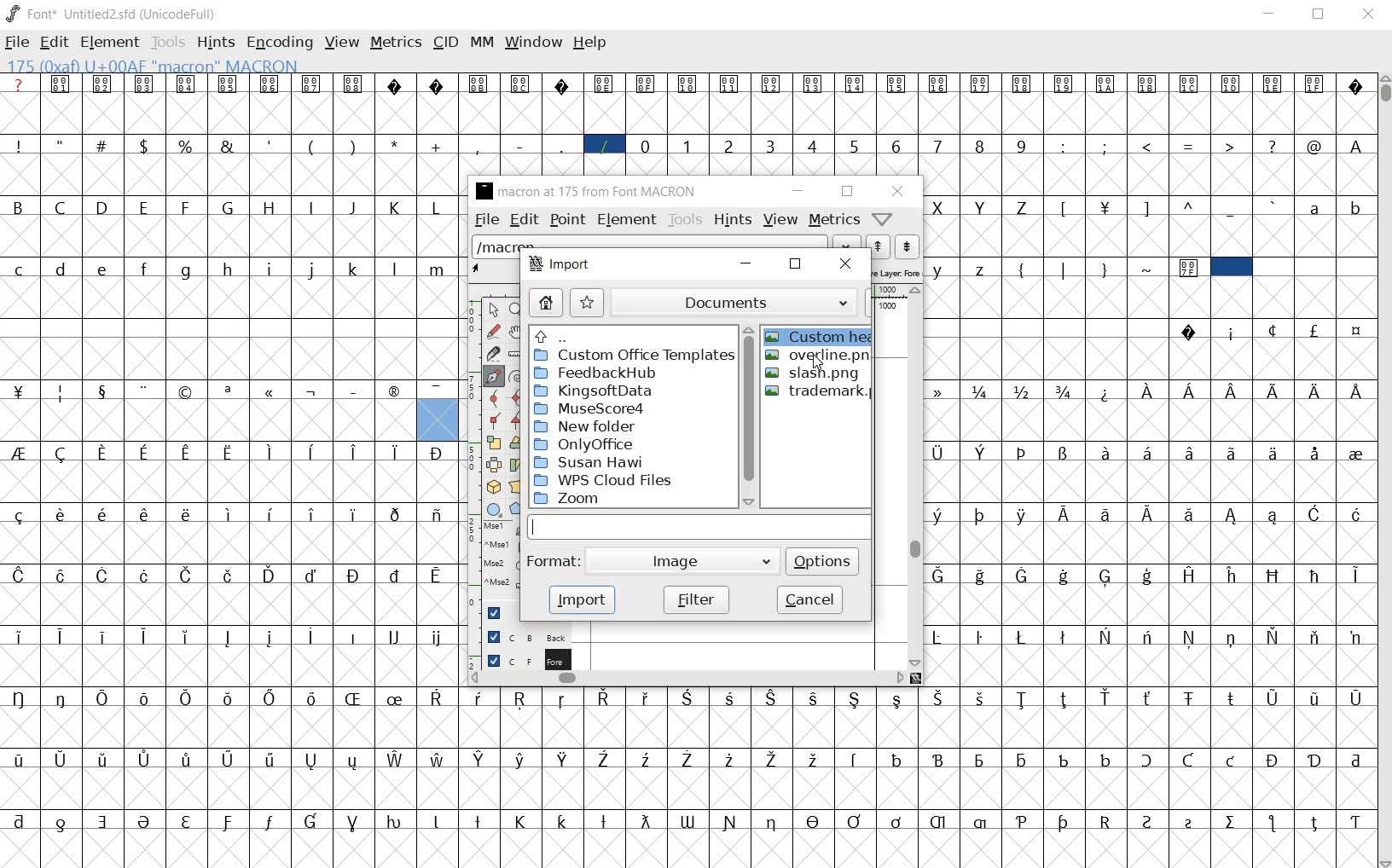 This screenshot has height=868, width=1392. I want to click on j, so click(312, 270).